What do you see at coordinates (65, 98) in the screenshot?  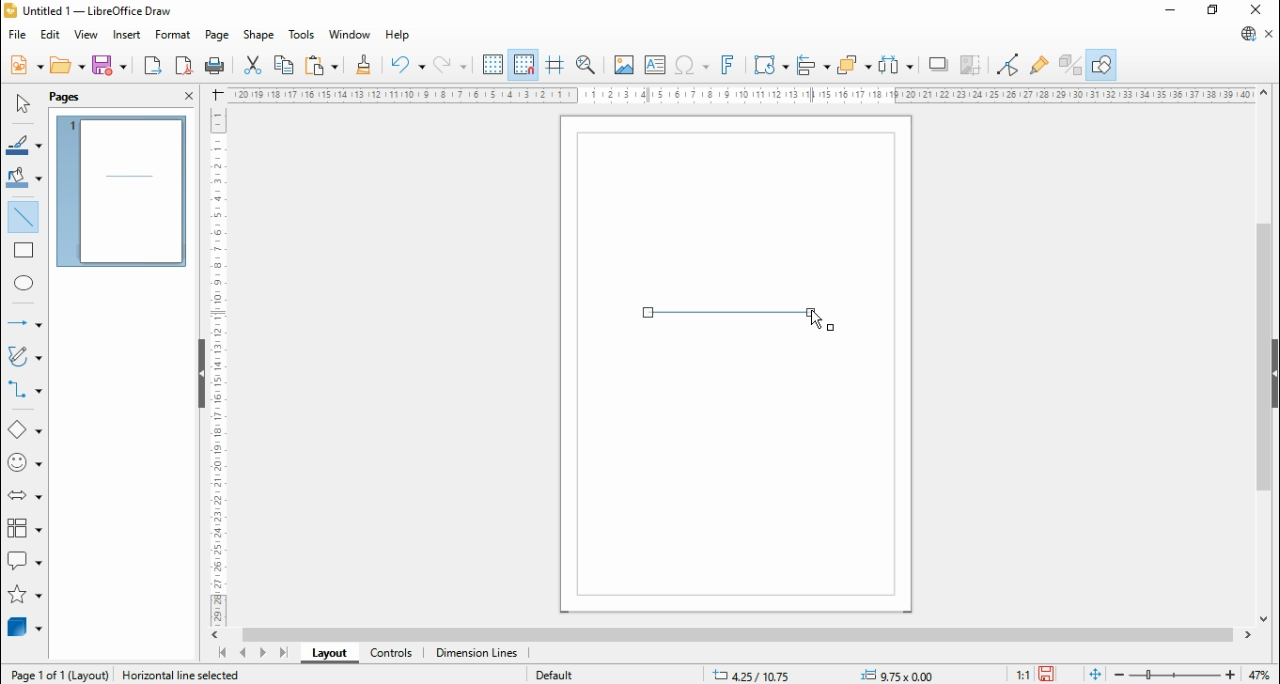 I see `page` at bounding box center [65, 98].